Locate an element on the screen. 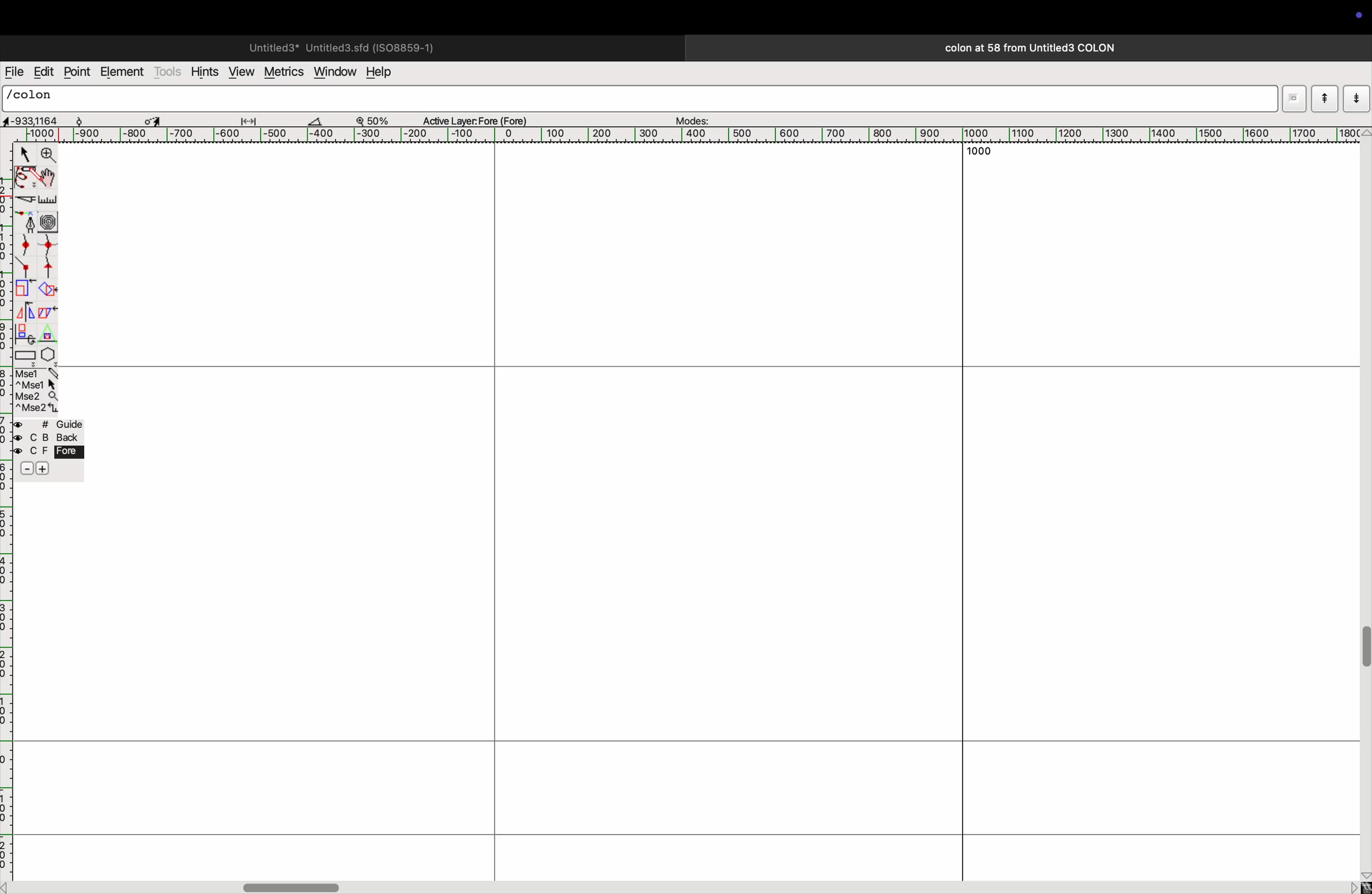 The image size is (1372, 894). active layer is located at coordinates (480, 118).